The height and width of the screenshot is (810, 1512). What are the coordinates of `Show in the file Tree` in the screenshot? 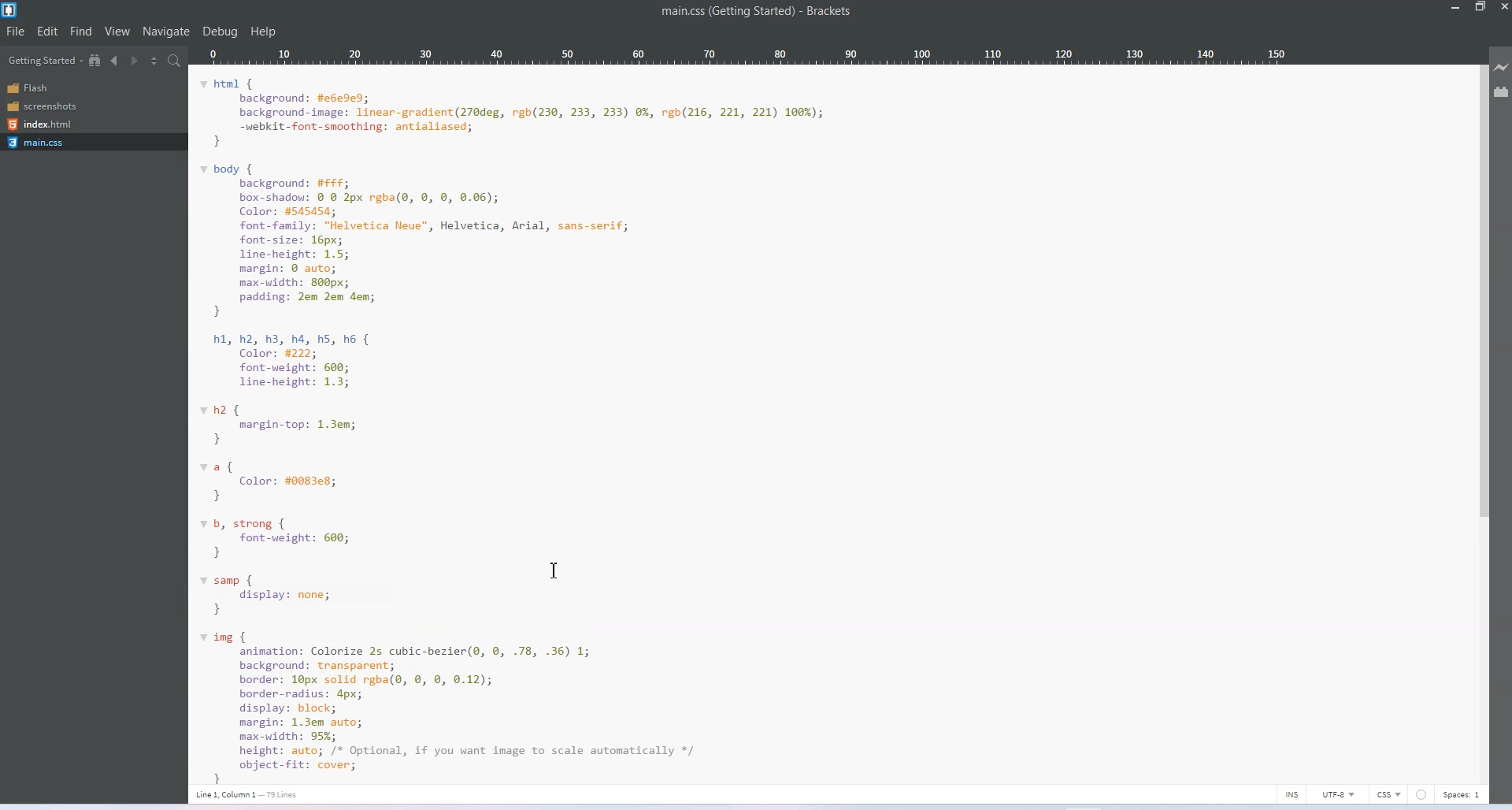 It's located at (96, 61).